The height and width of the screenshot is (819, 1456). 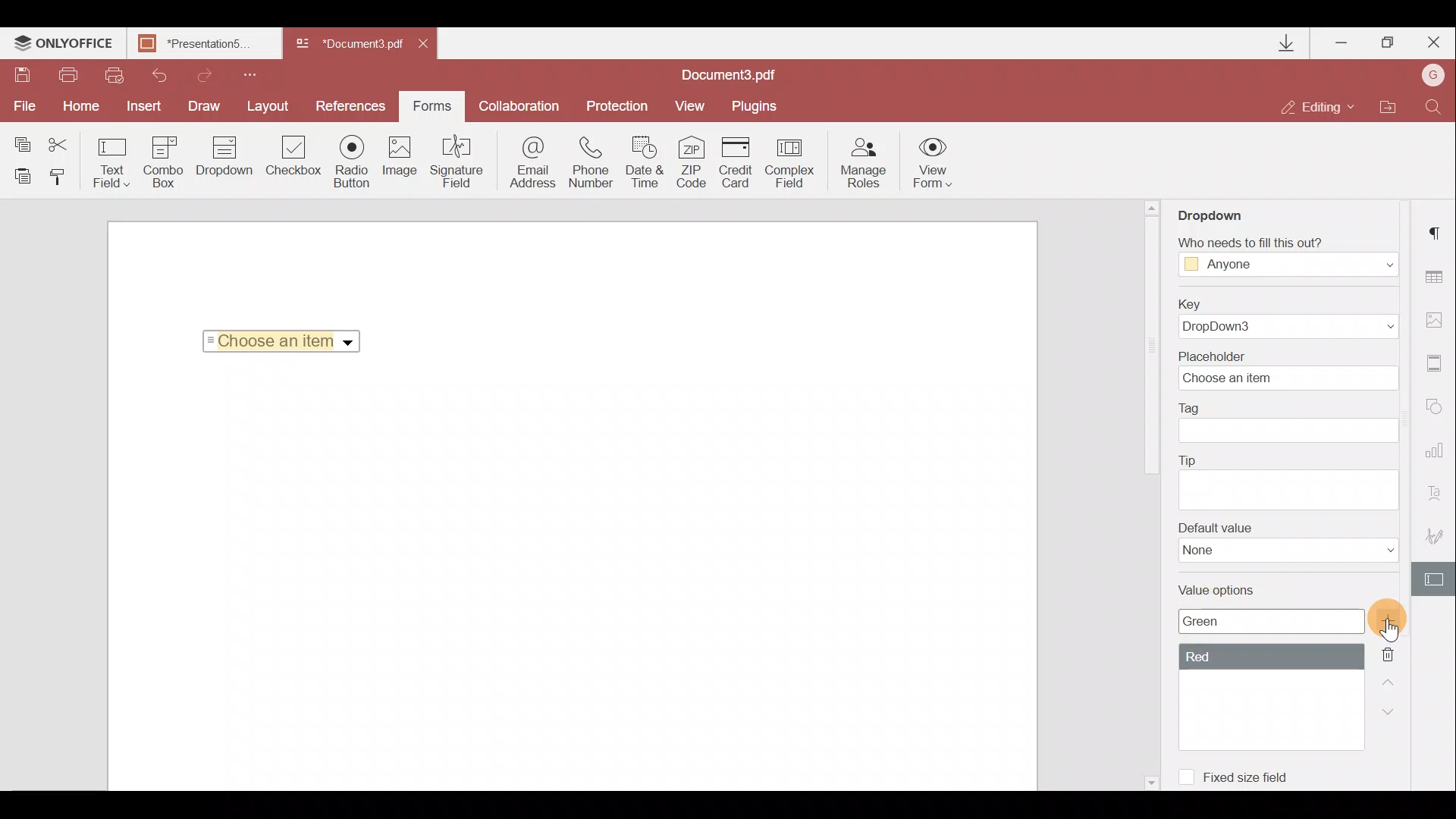 What do you see at coordinates (1285, 370) in the screenshot?
I see `Placeholder` at bounding box center [1285, 370].